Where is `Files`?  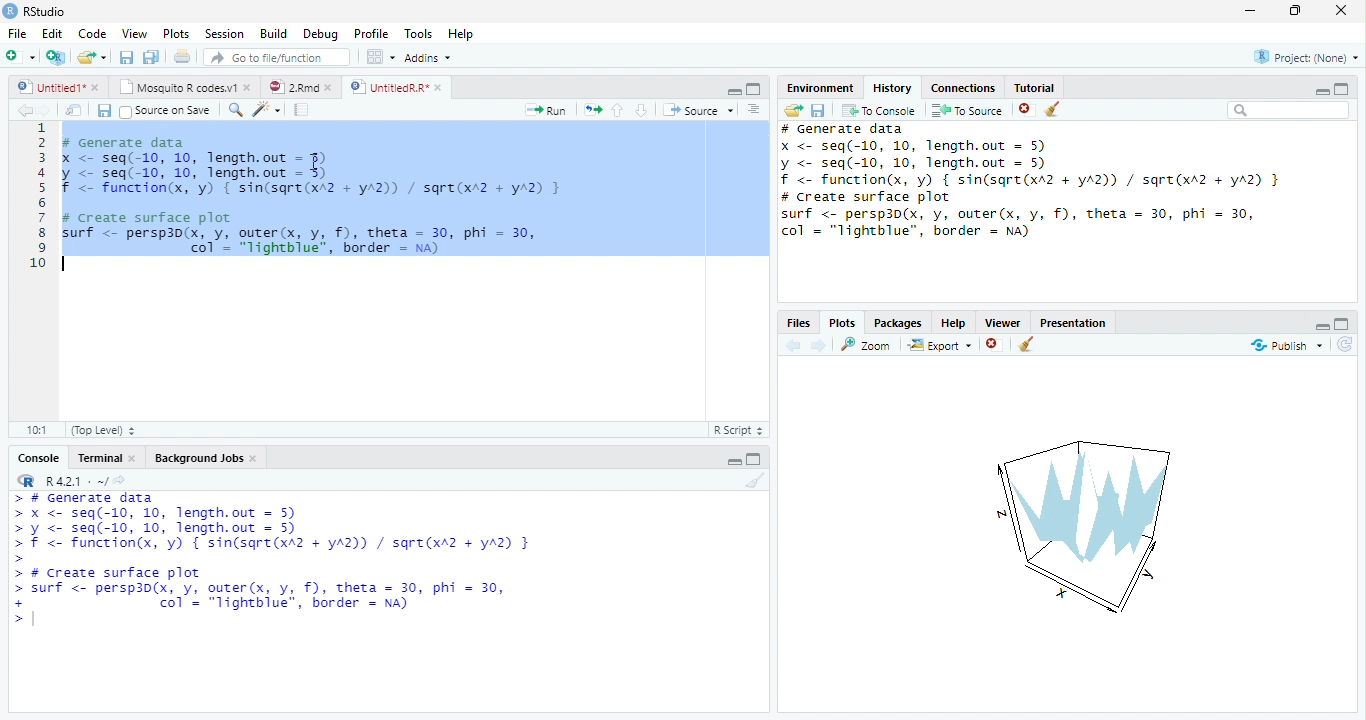 Files is located at coordinates (800, 322).